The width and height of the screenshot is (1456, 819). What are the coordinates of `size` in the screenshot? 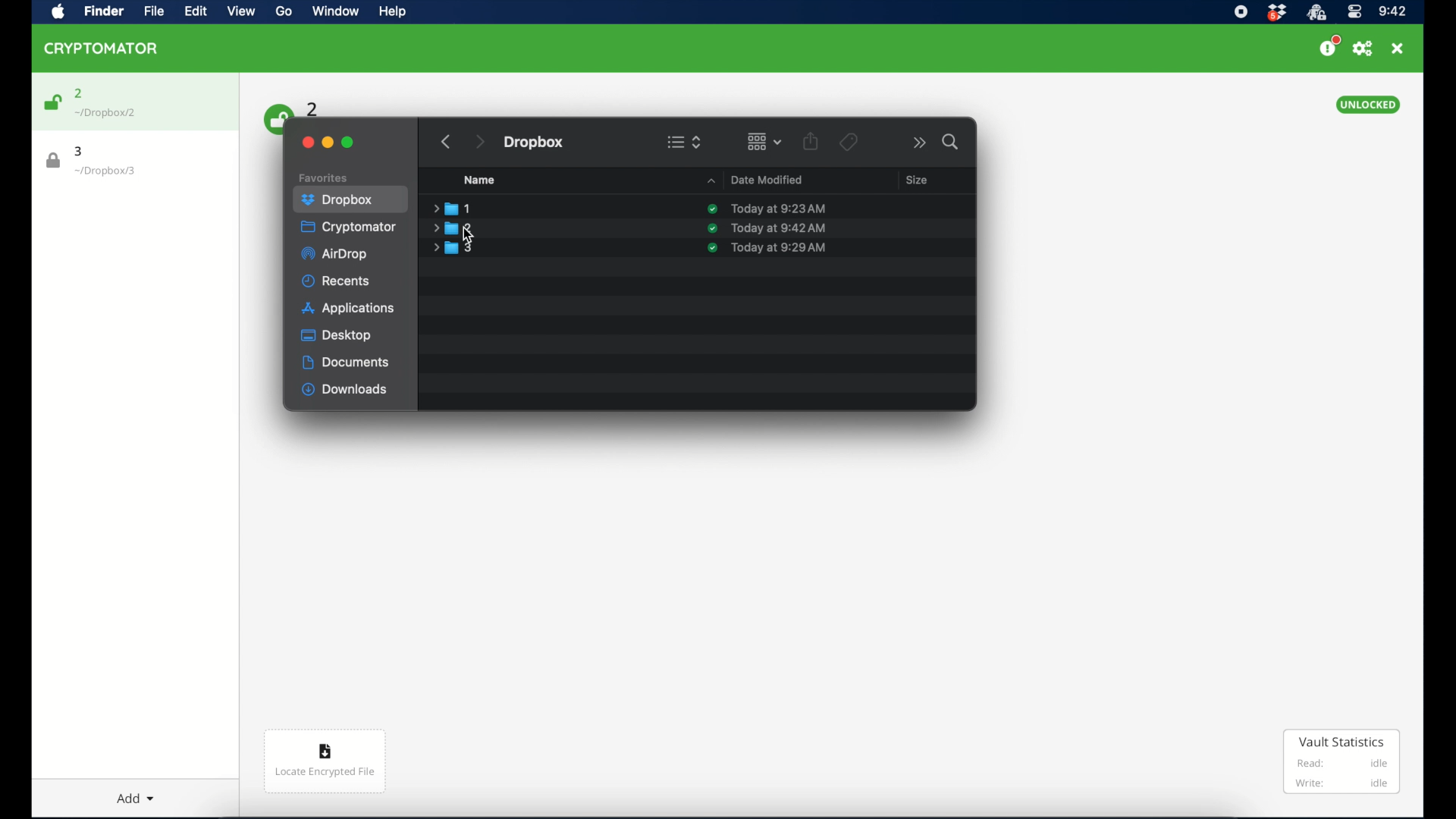 It's located at (916, 179).